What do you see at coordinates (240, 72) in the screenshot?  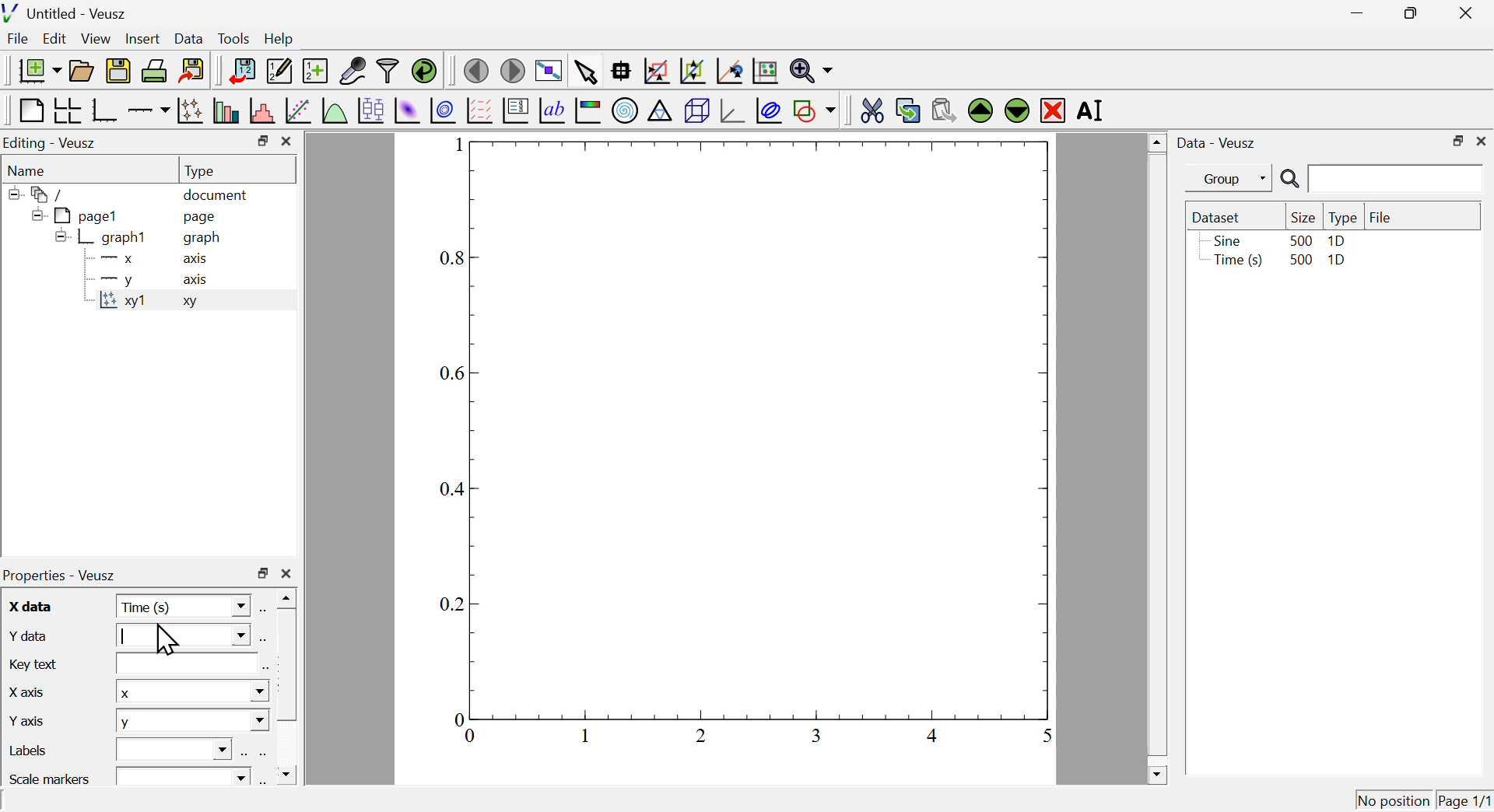 I see `import data into veusz` at bounding box center [240, 72].